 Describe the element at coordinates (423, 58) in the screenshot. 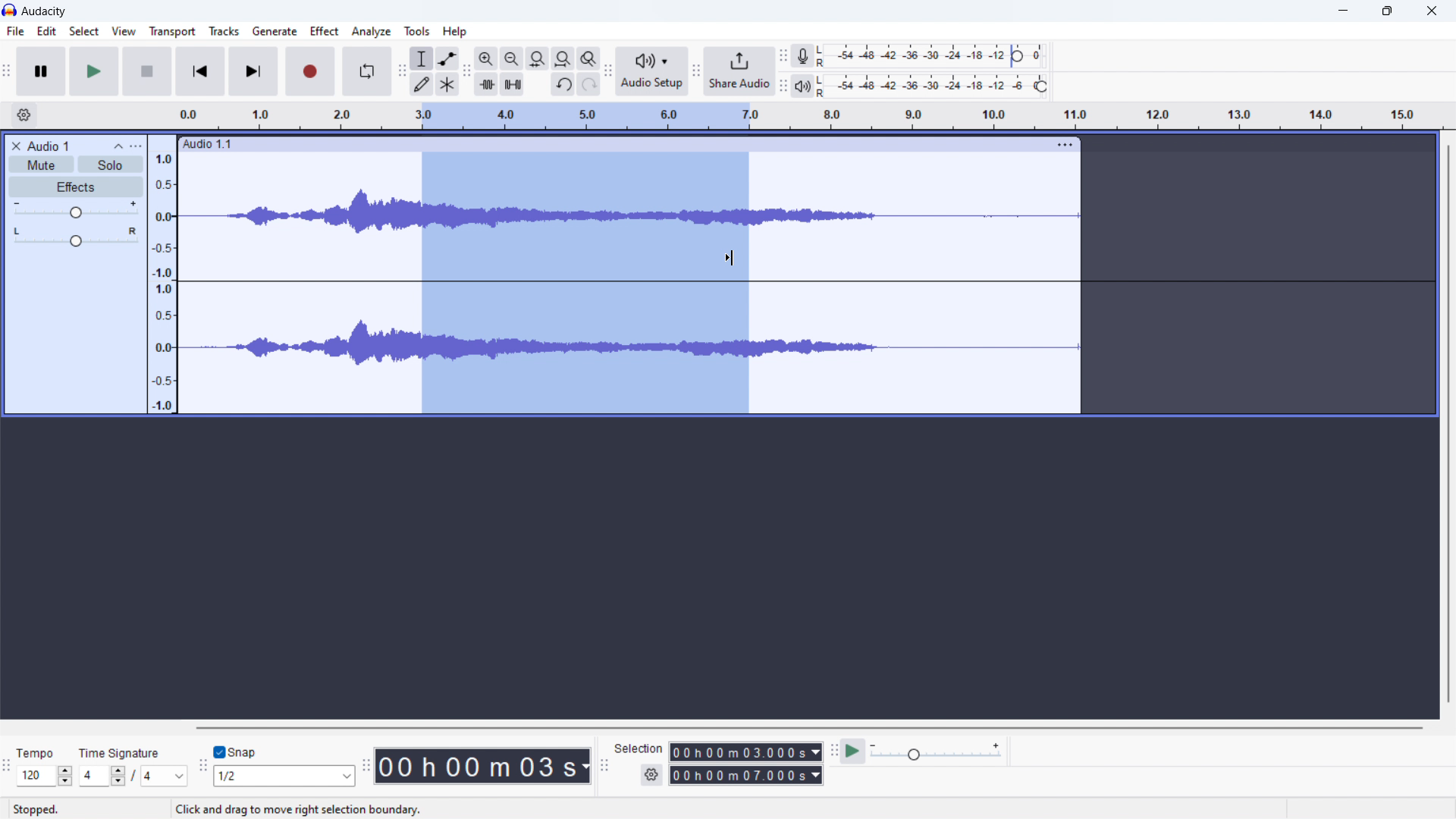

I see `selection tool` at that location.